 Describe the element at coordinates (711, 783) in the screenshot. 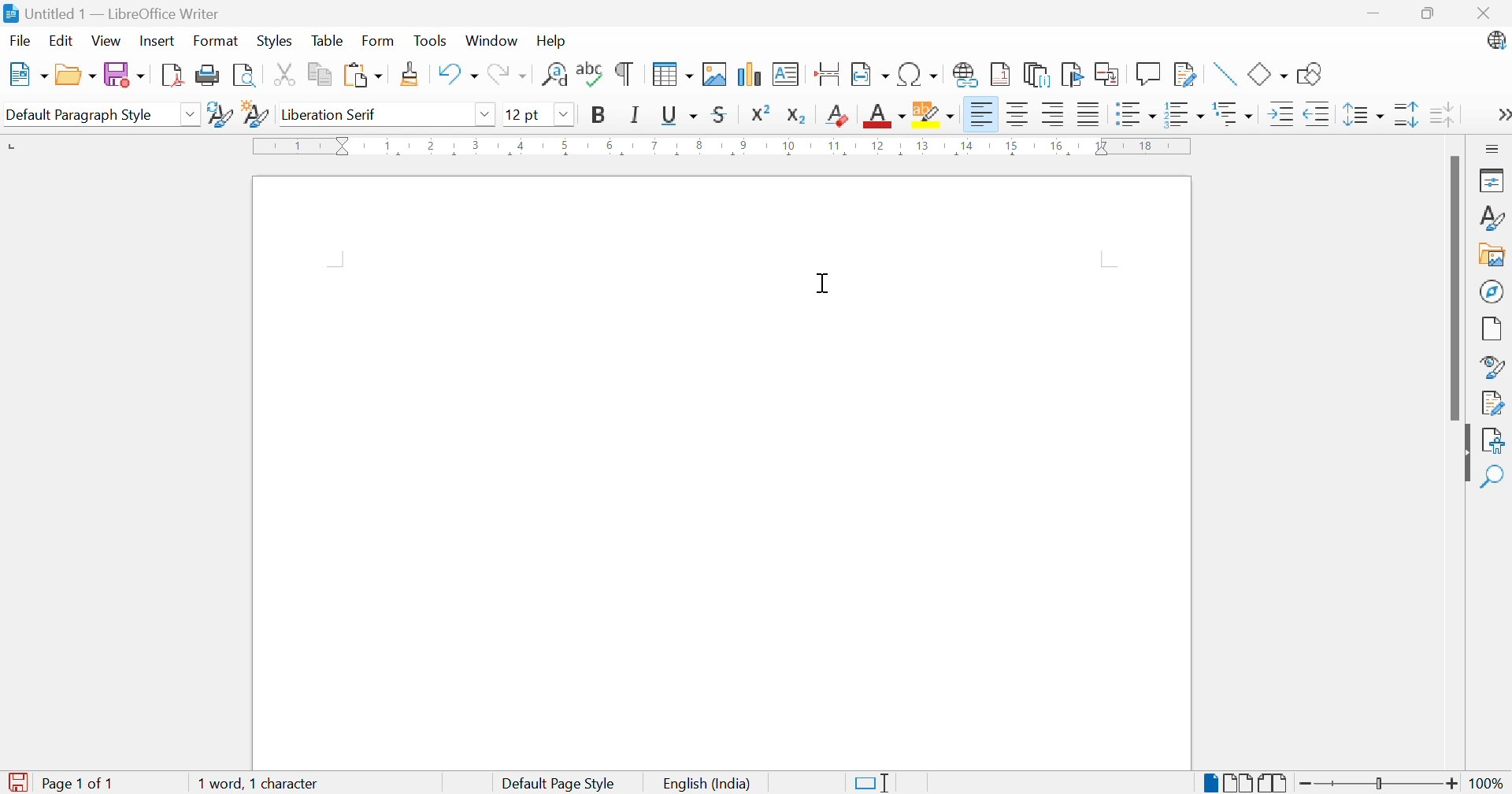

I see `English (India)` at that location.